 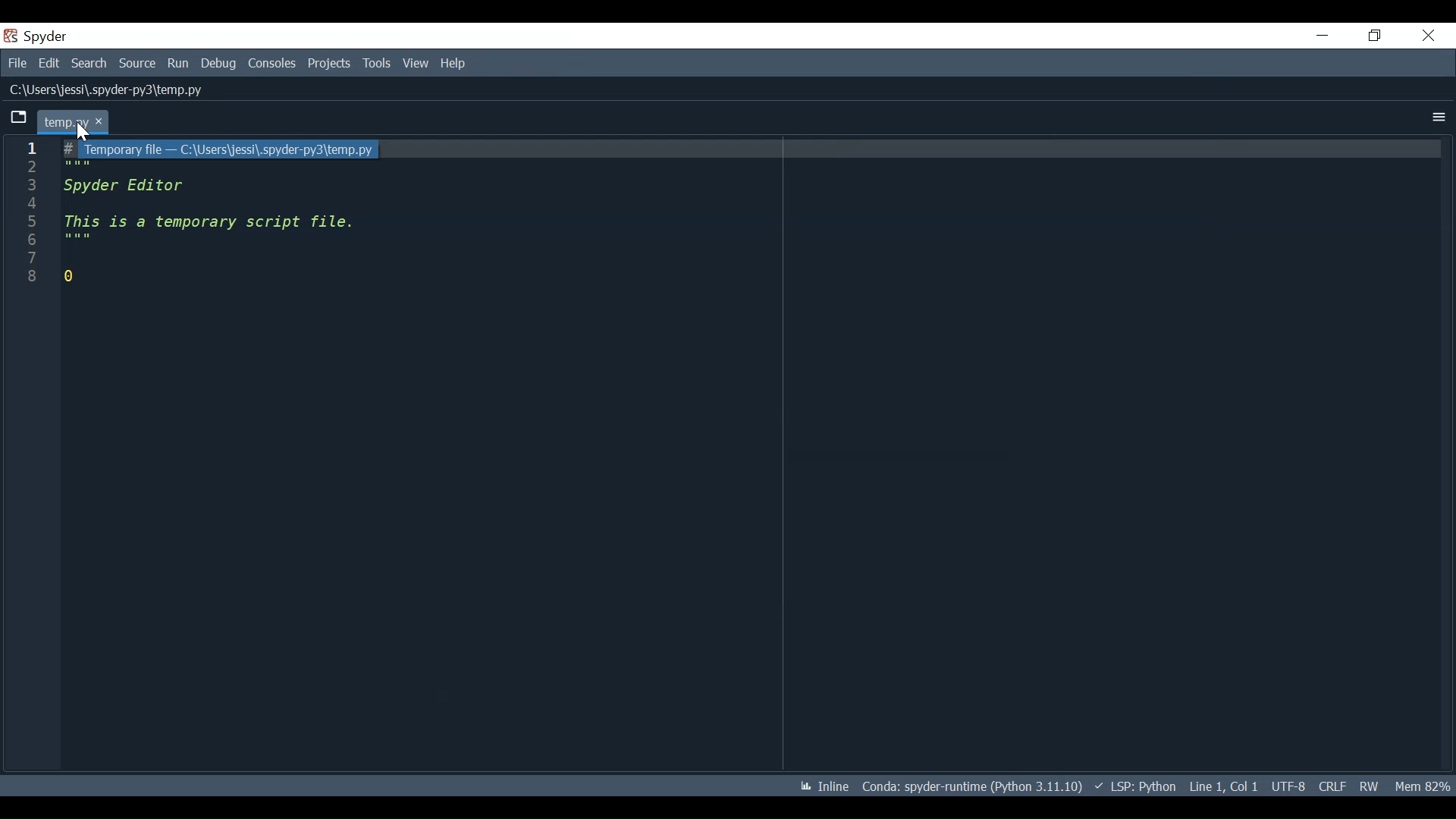 I want to click on Run, so click(x=178, y=63).